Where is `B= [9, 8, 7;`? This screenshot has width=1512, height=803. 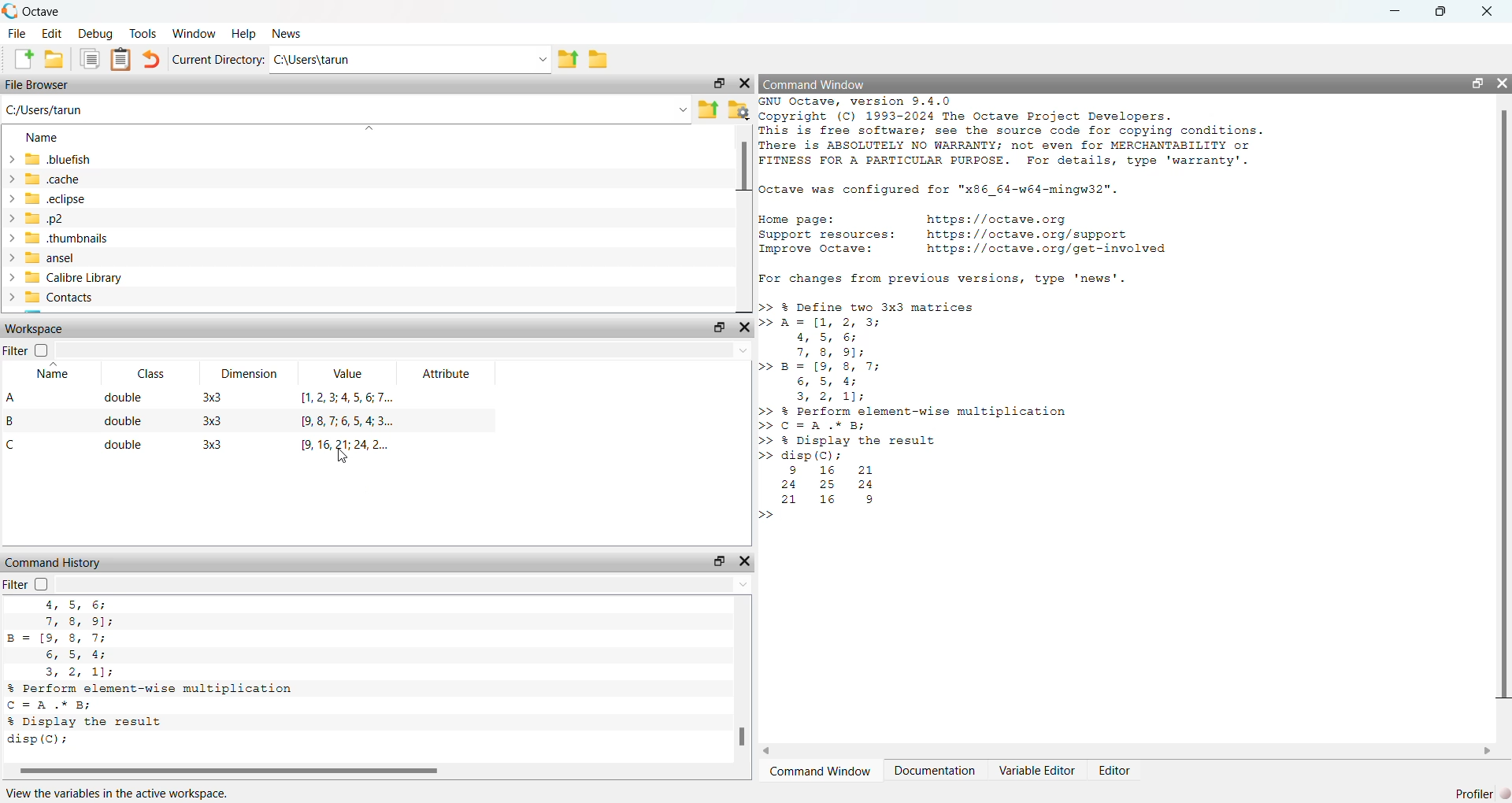 B= [9, 8, 7; is located at coordinates (60, 639).